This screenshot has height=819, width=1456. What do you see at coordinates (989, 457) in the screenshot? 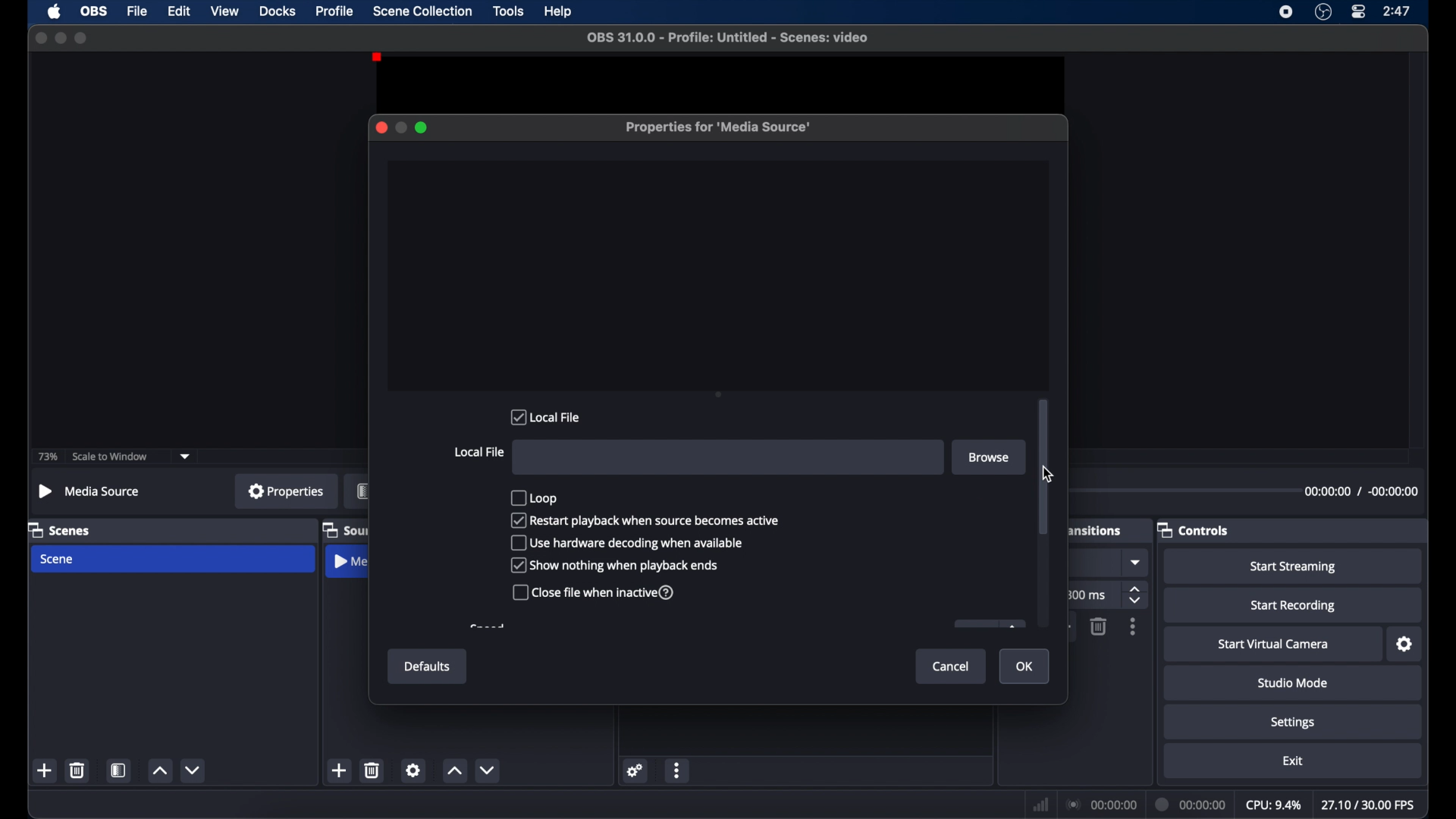
I see `browse` at bounding box center [989, 457].